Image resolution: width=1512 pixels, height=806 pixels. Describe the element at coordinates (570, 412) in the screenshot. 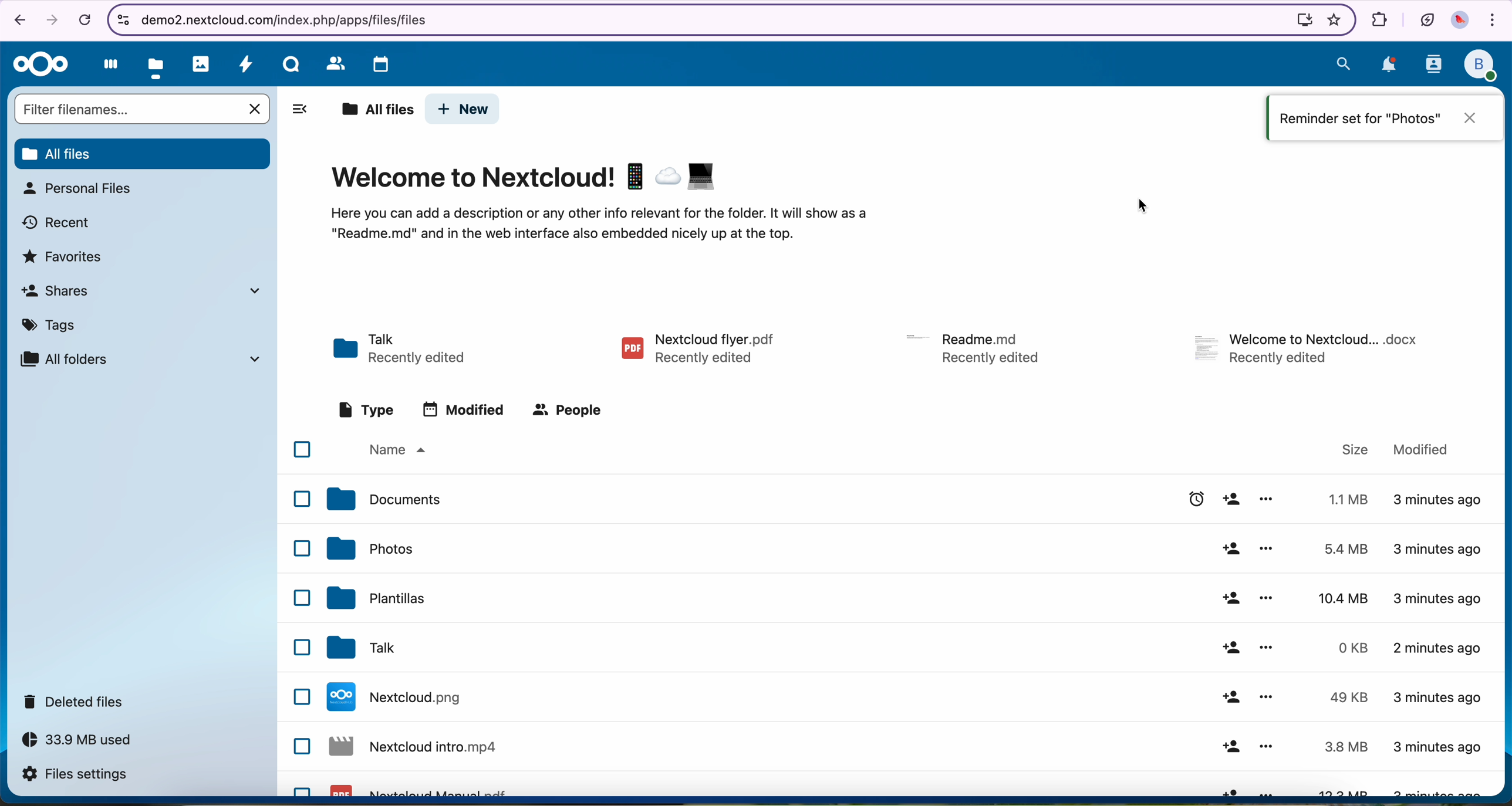

I see `people` at that location.